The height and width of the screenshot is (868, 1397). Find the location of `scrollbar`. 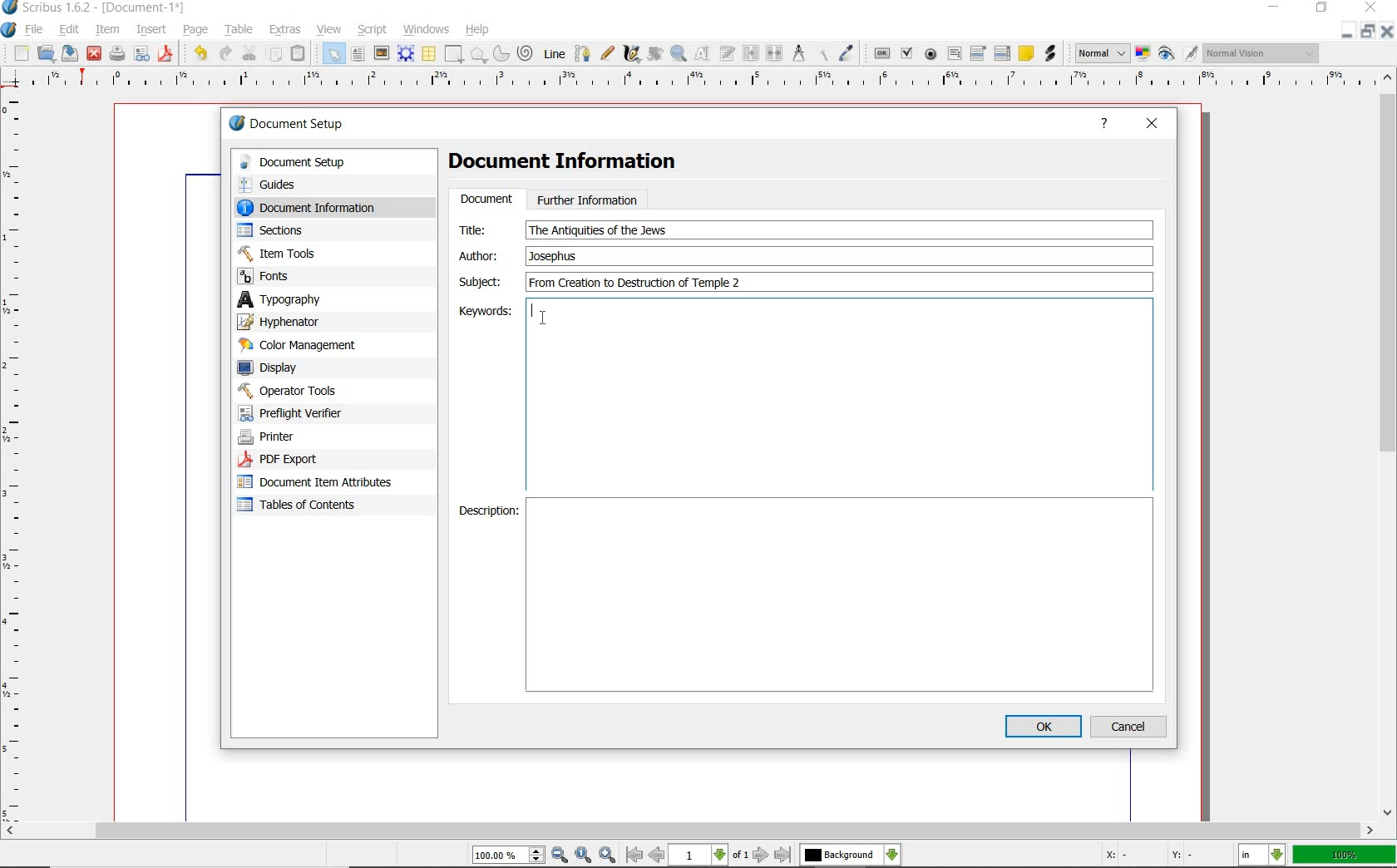

scrollbar is located at coordinates (1389, 446).